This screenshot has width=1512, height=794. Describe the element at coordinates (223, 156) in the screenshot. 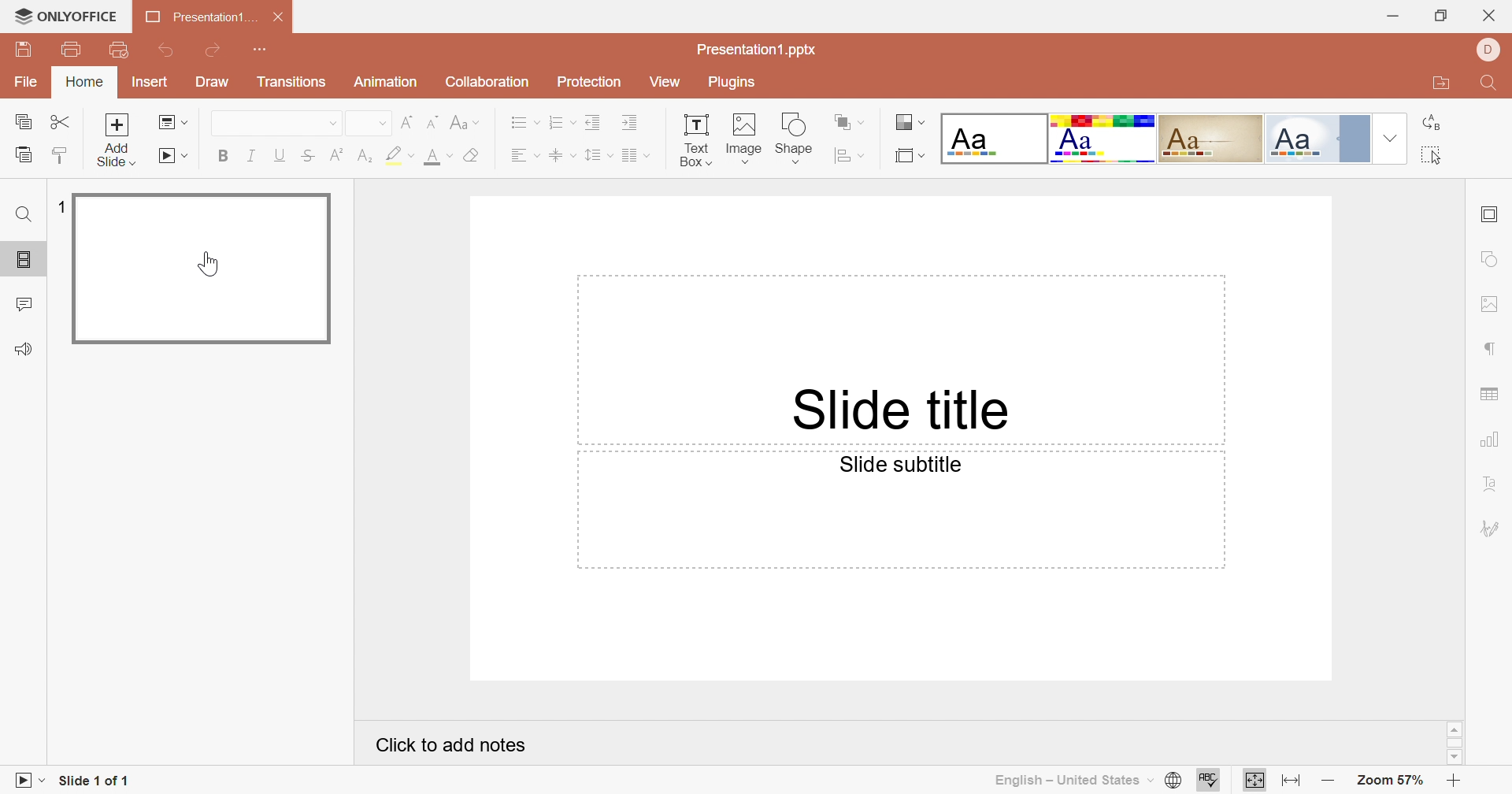

I see `Bold` at that location.